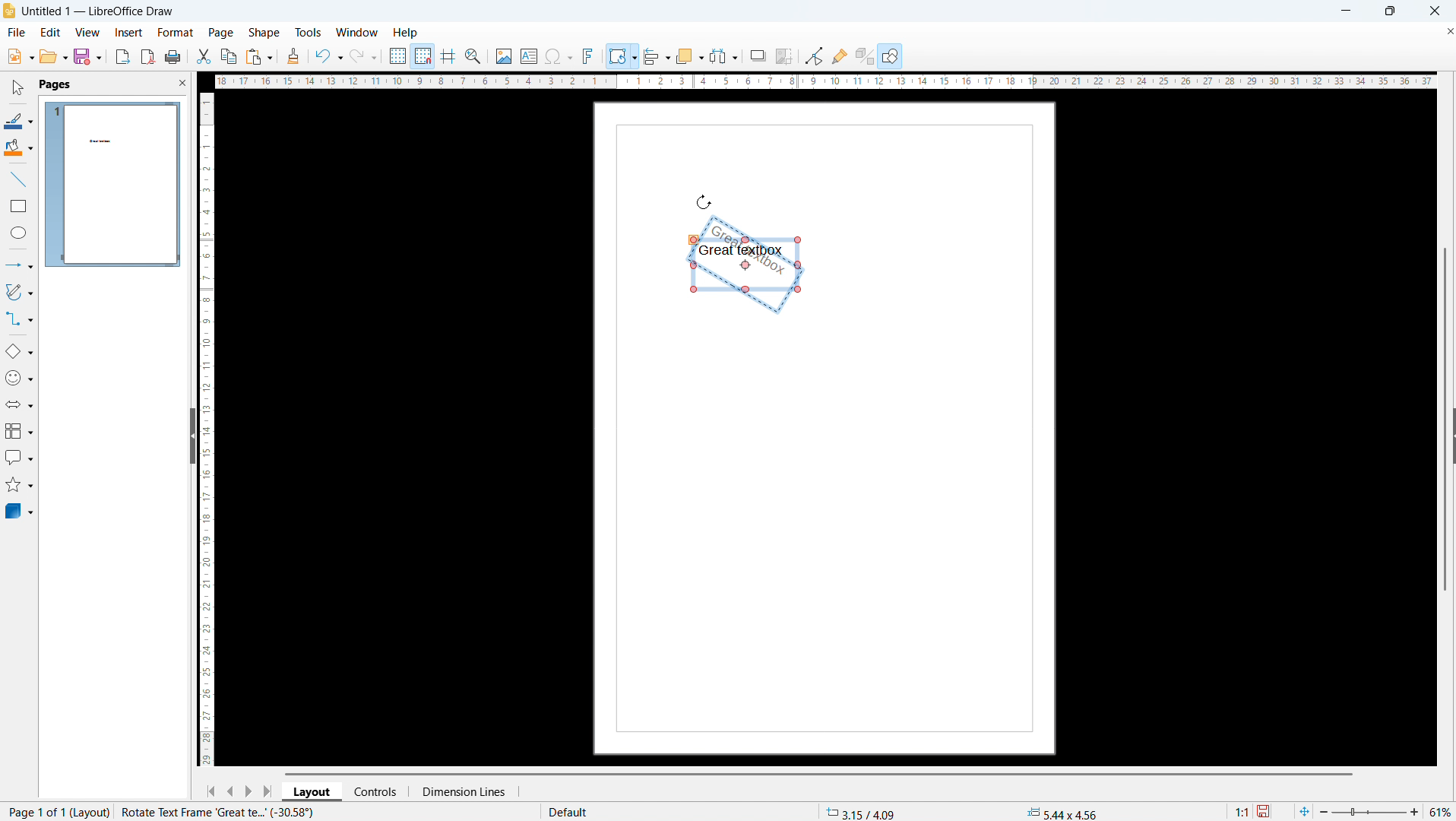 The height and width of the screenshot is (821, 1456). Describe the element at coordinates (19, 320) in the screenshot. I see `connectors` at that location.